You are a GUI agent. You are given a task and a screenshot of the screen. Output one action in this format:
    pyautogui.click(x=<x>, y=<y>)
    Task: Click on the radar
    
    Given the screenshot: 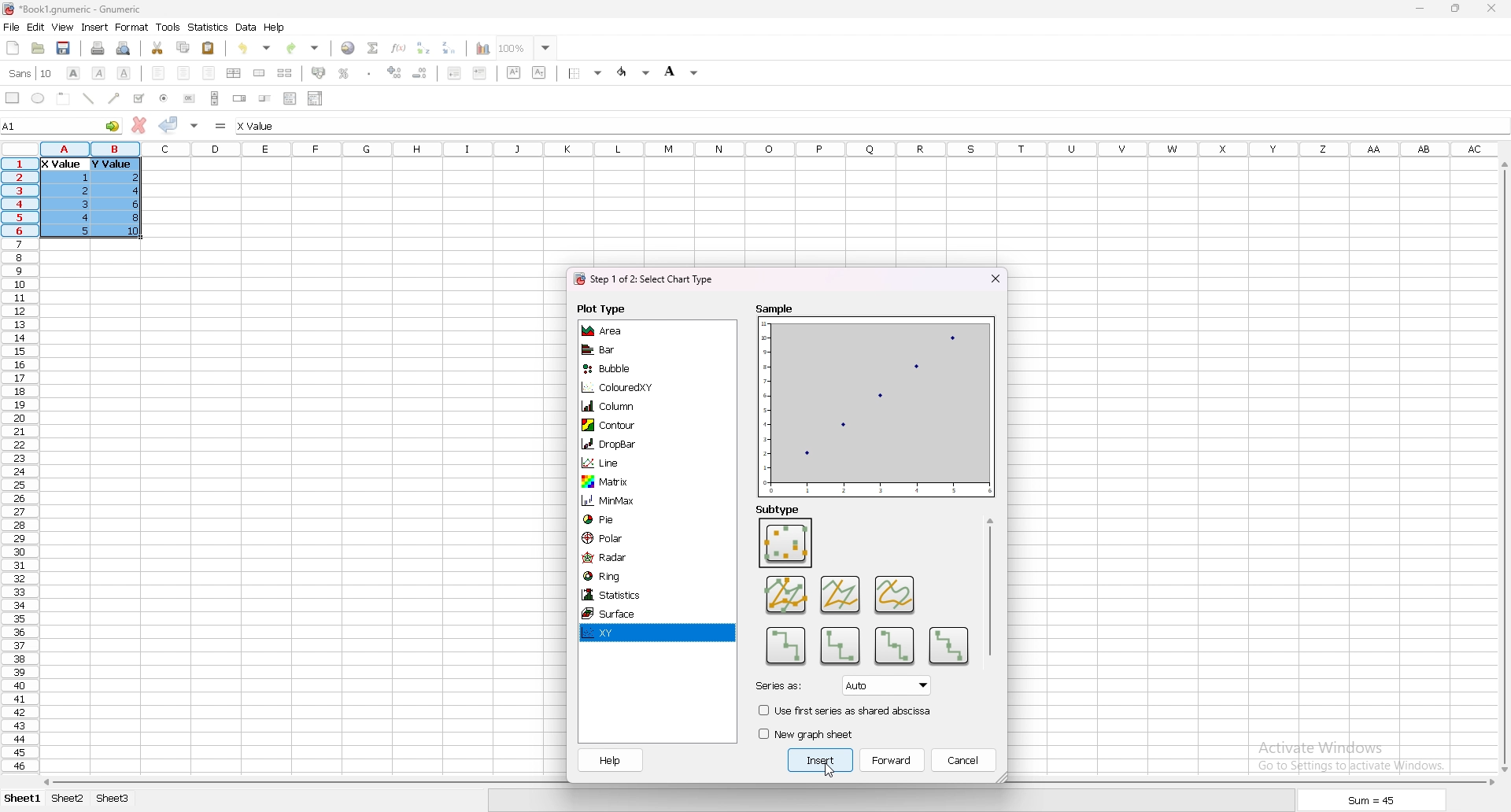 What is the action you would take?
    pyautogui.click(x=630, y=556)
    